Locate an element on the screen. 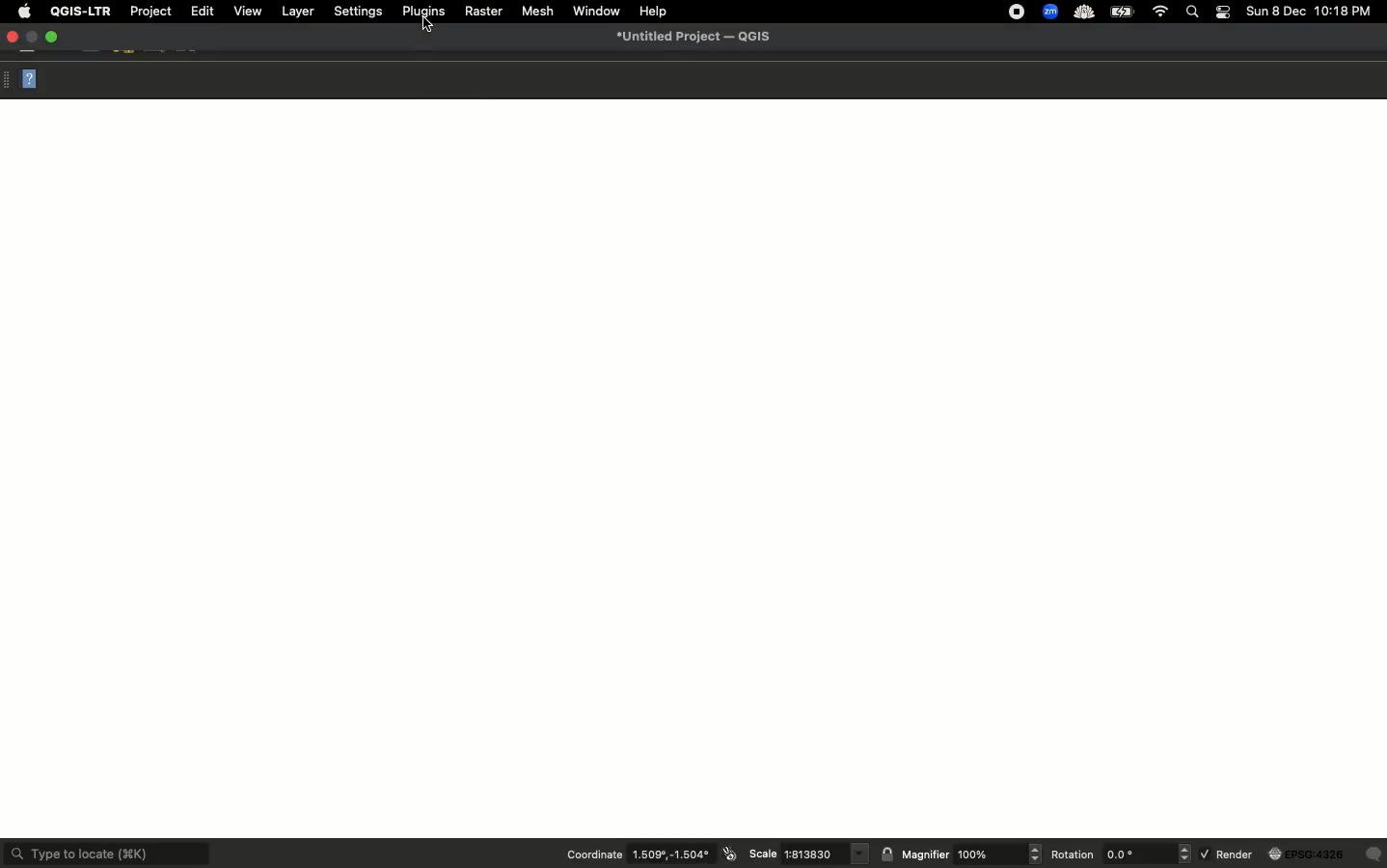  cursor is located at coordinates (428, 25).